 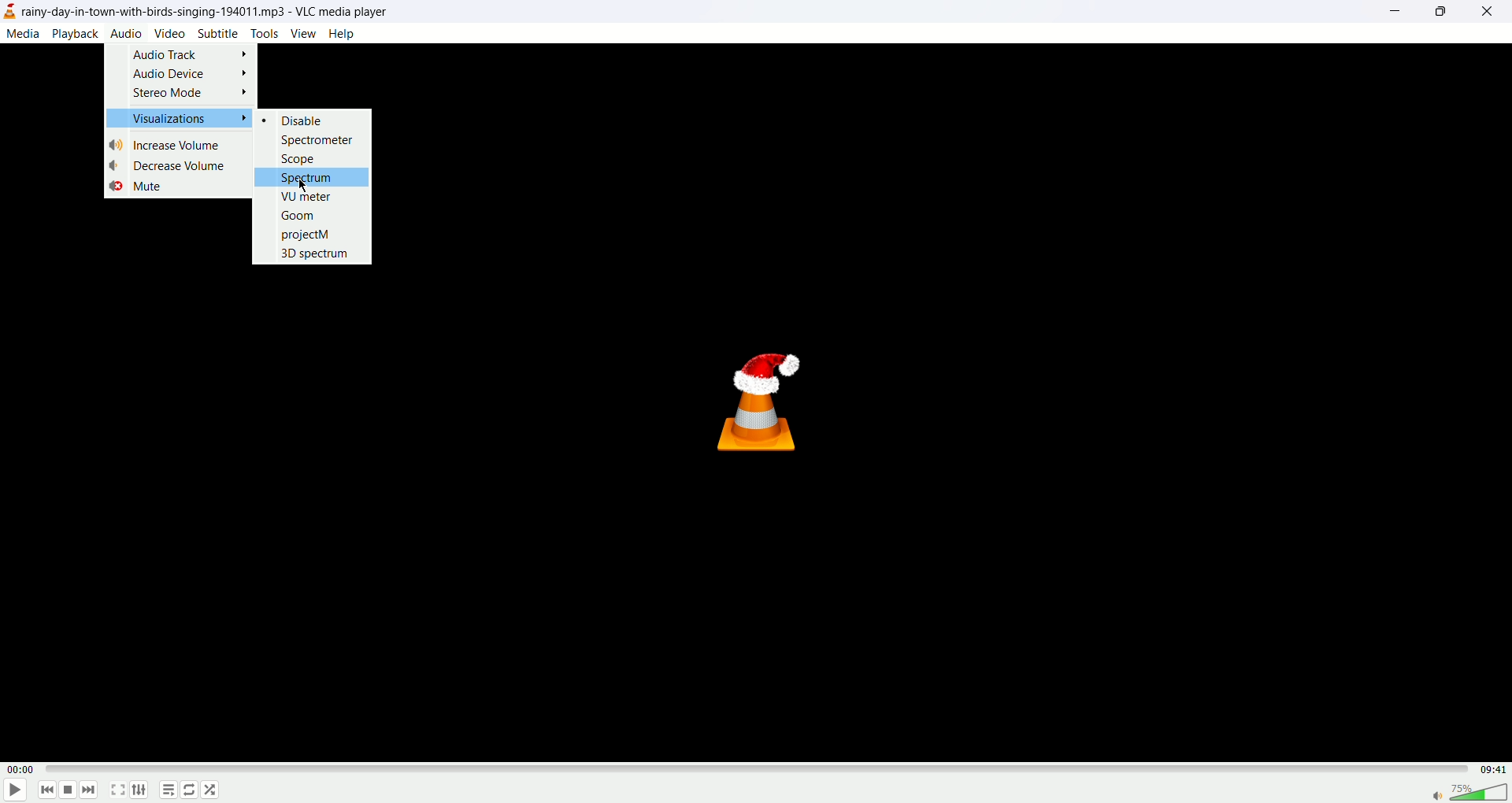 I want to click on audio device, so click(x=190, y=76).